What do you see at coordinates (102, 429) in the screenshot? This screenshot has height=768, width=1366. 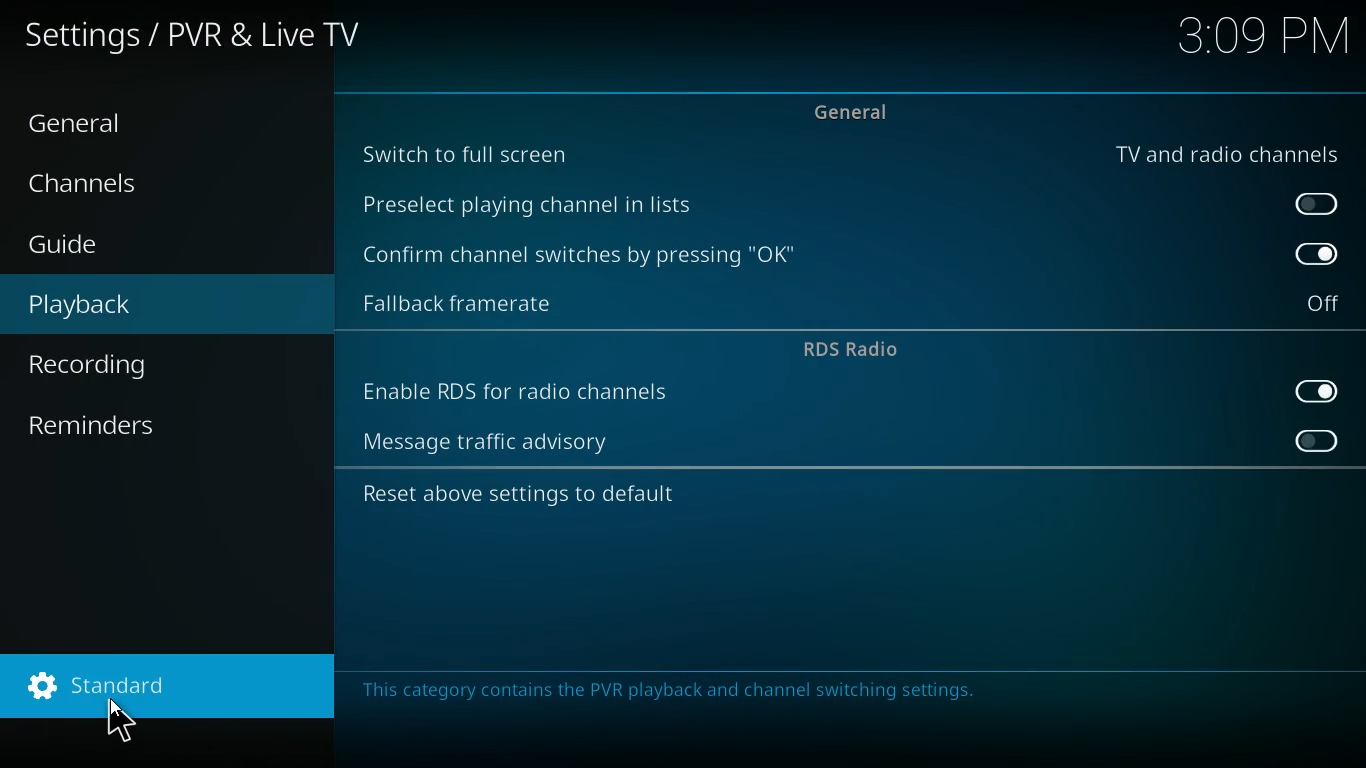 I see `reminders` at bounding box center [102, 429].